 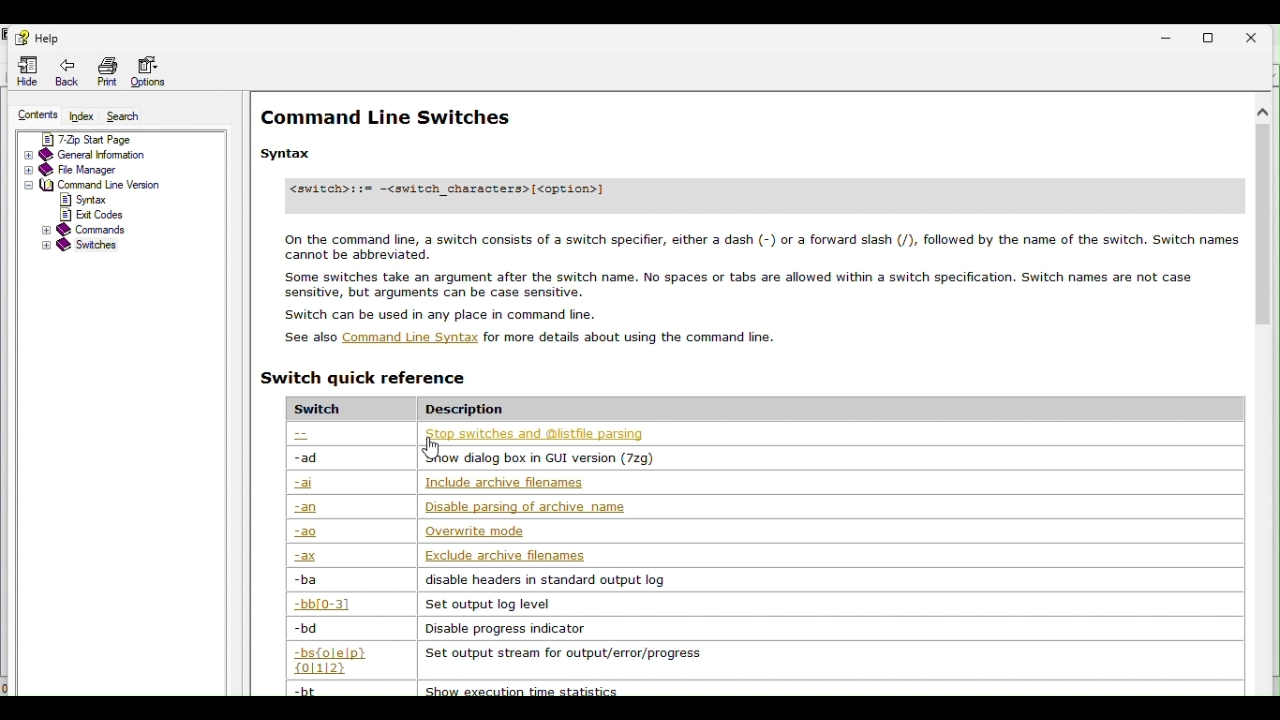 What do you see at coordinates (543, 435) in the screenshot?
I see `| 2500 SWITCNES ana (ANSTINE Parsing` at bounding box center [543, 435].